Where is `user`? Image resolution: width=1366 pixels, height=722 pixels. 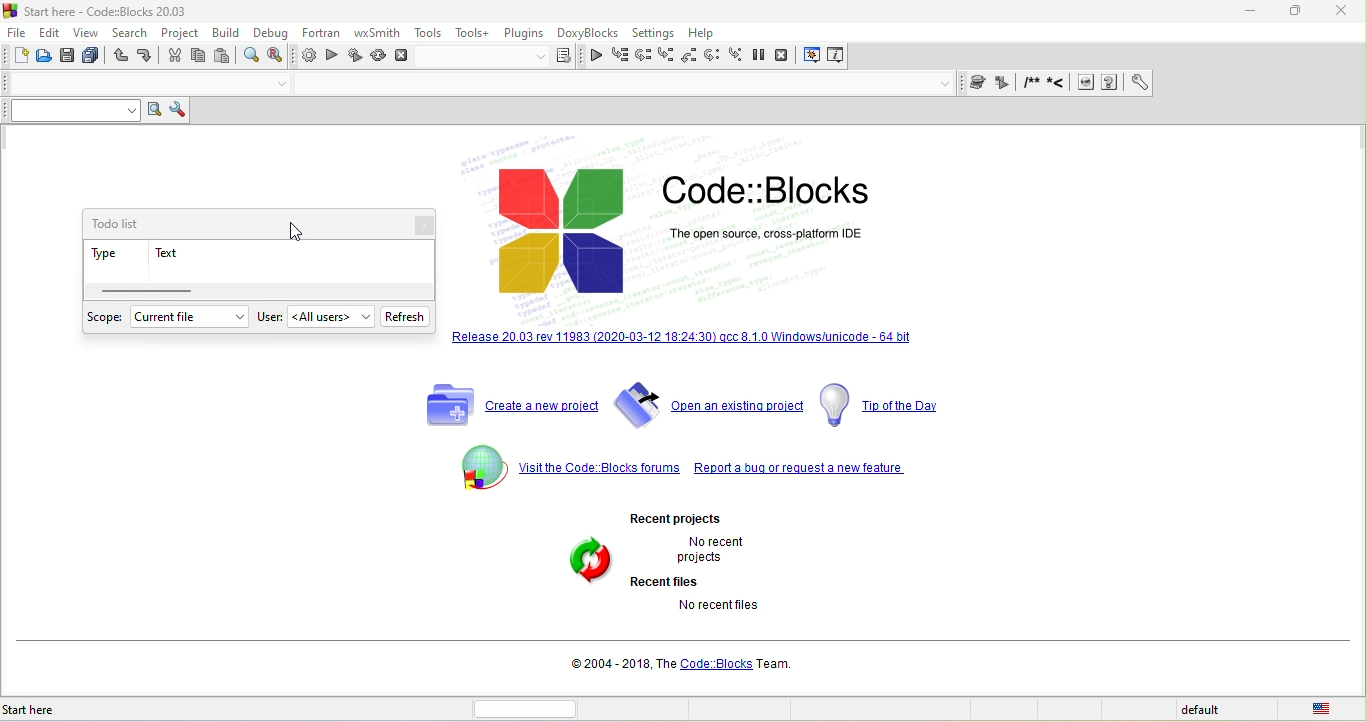
user is located at coordinates (271, 317).